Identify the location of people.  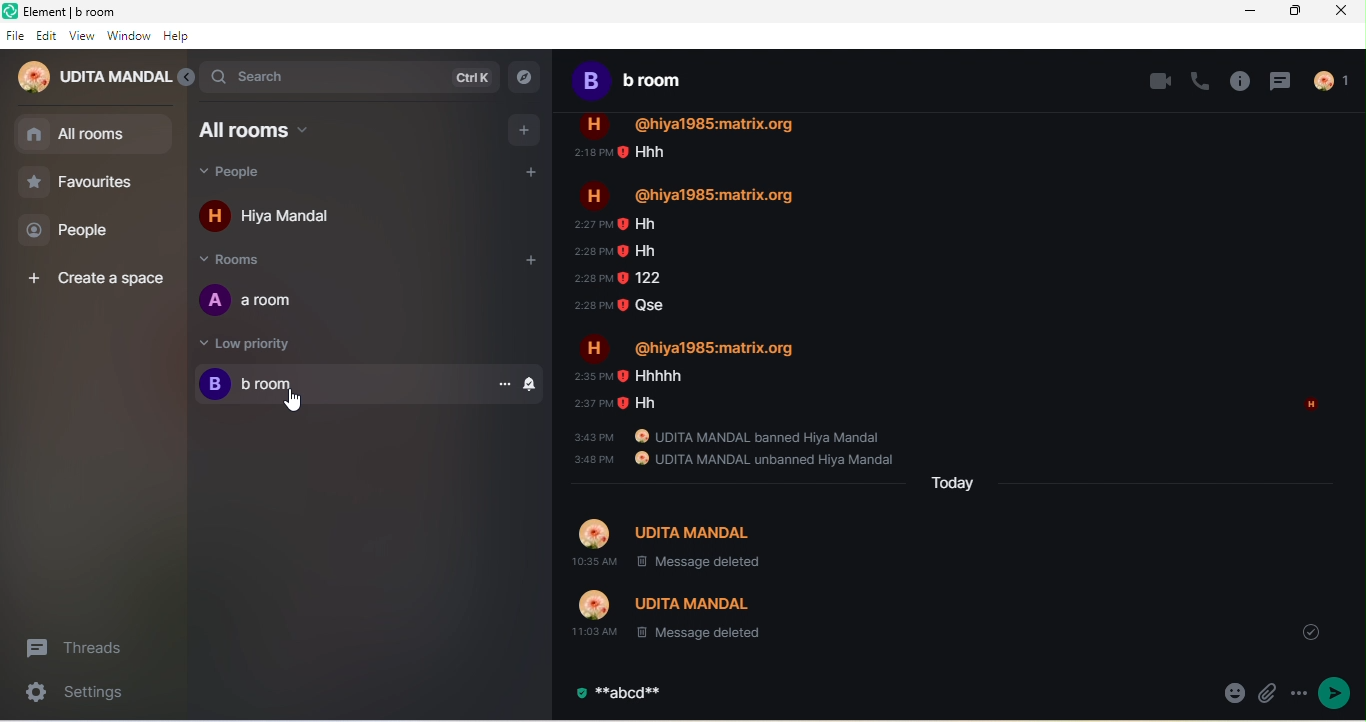
(75, 233).